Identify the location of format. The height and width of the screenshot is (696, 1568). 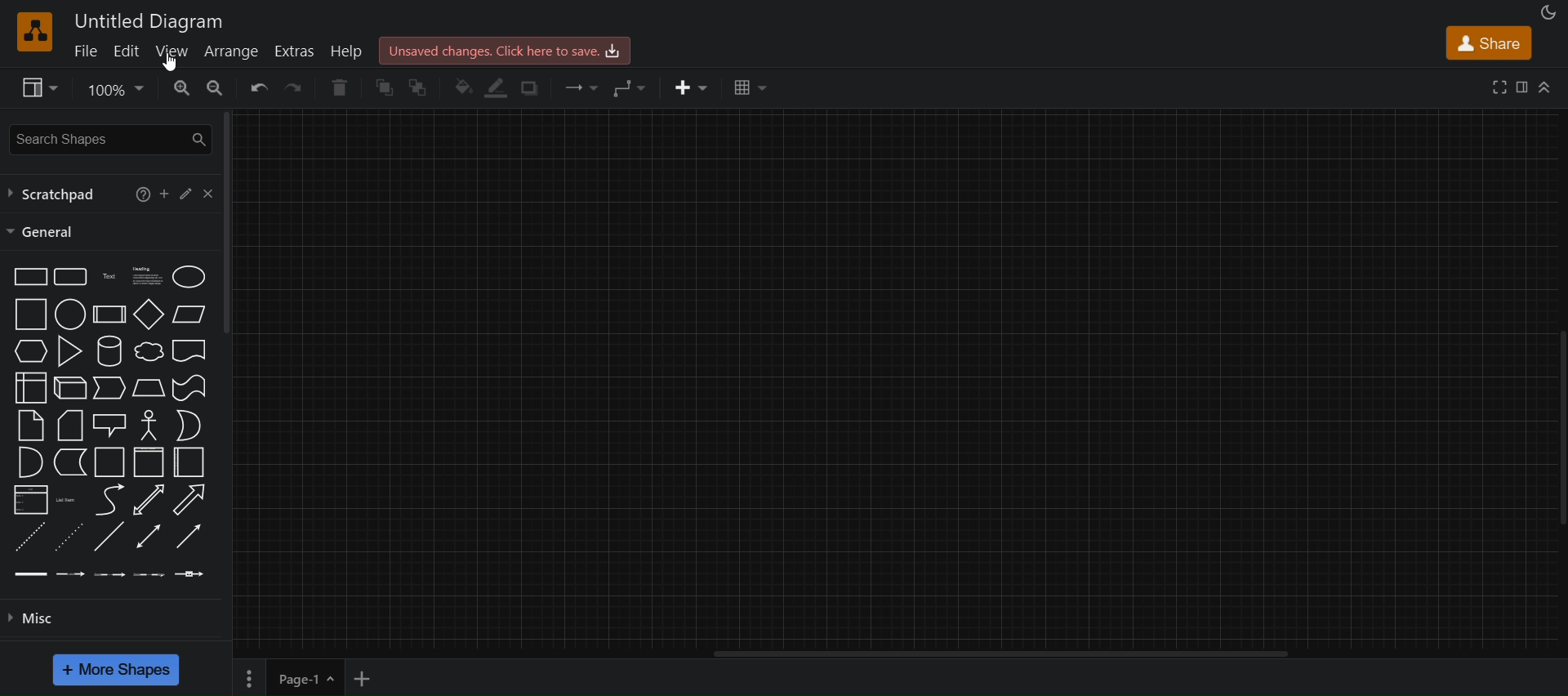
(1522, 87).